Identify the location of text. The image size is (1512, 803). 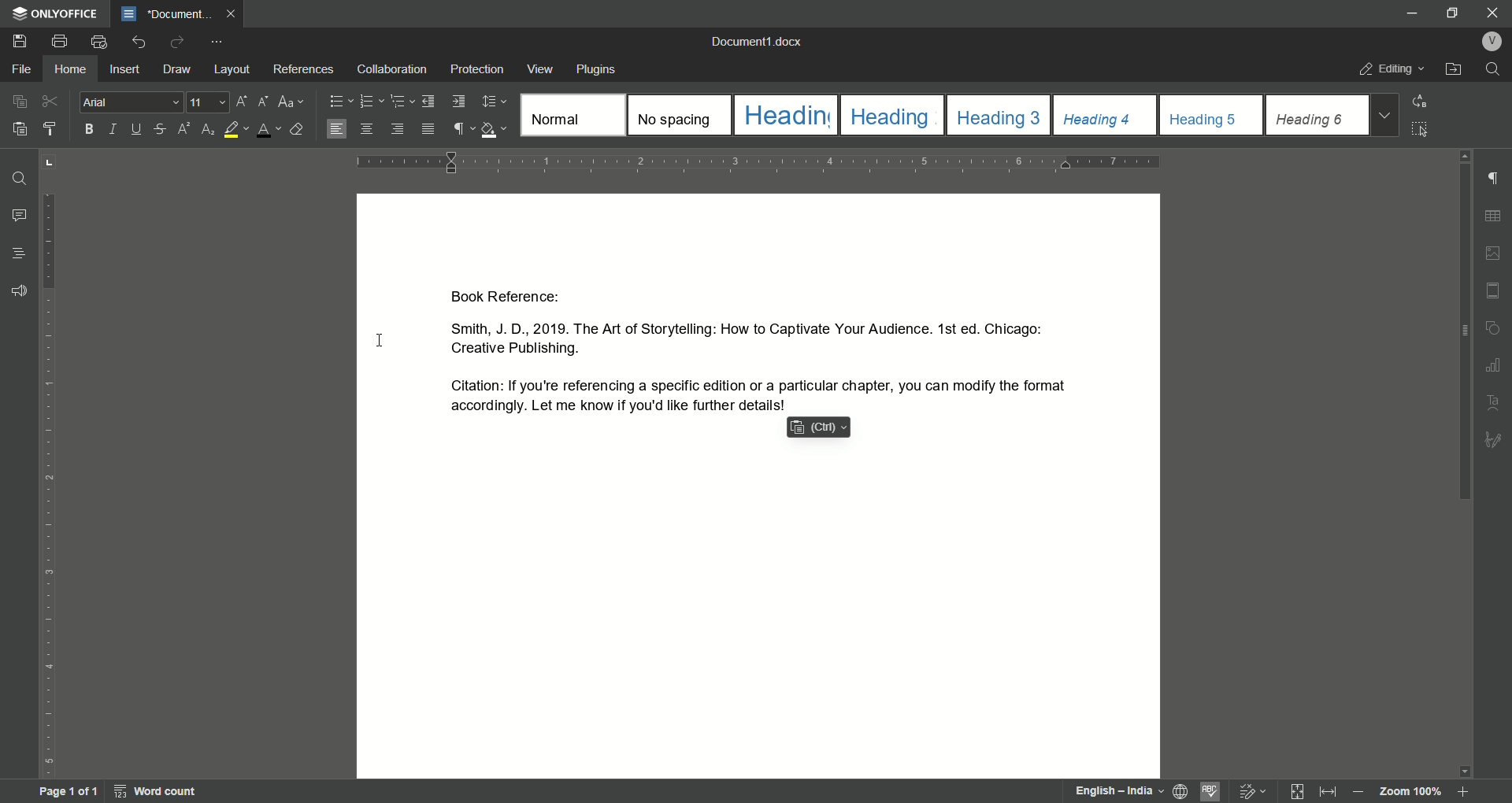
(1491, 401).